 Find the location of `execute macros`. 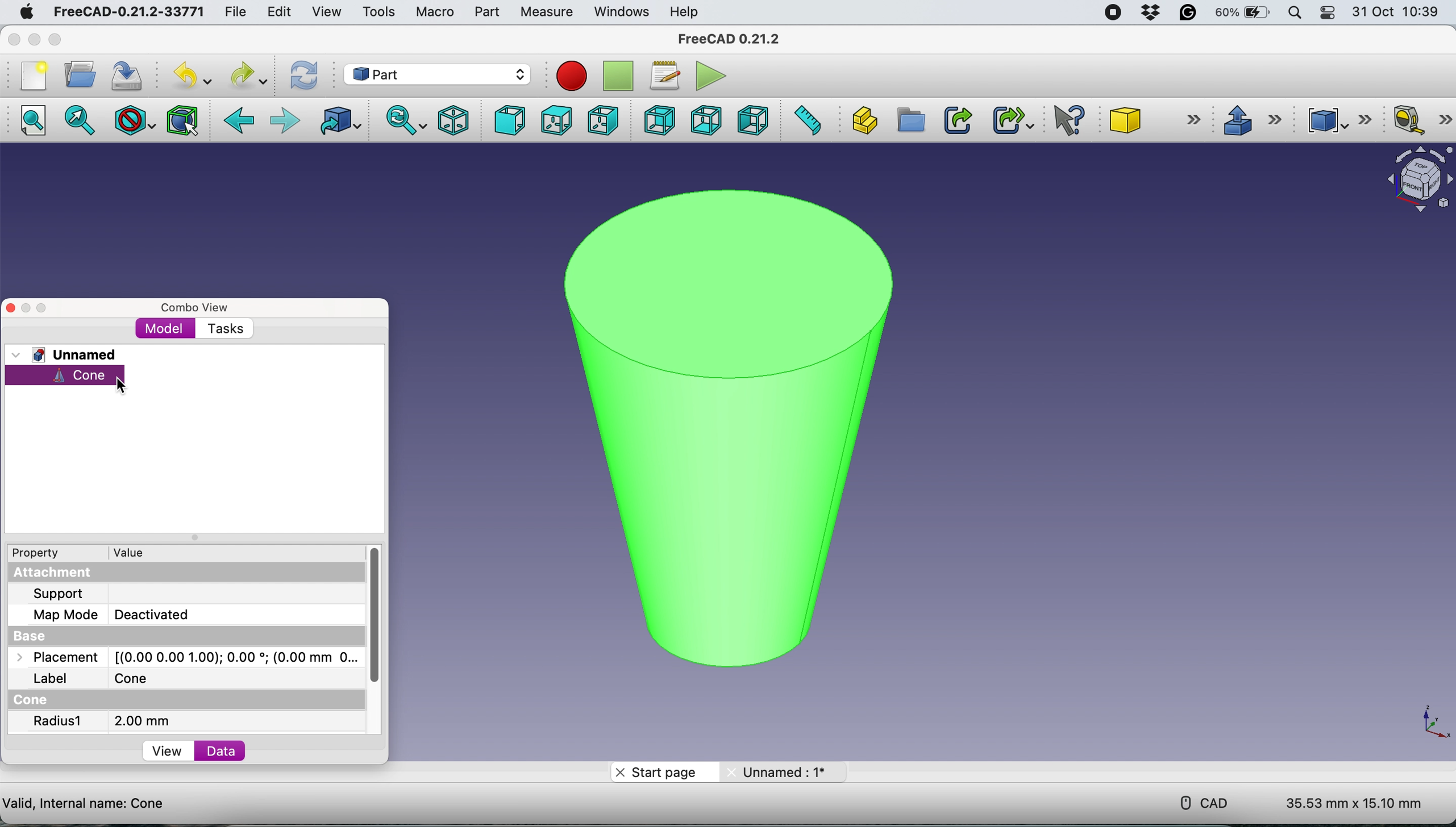

execute macros is located at coordinates (708, 76).